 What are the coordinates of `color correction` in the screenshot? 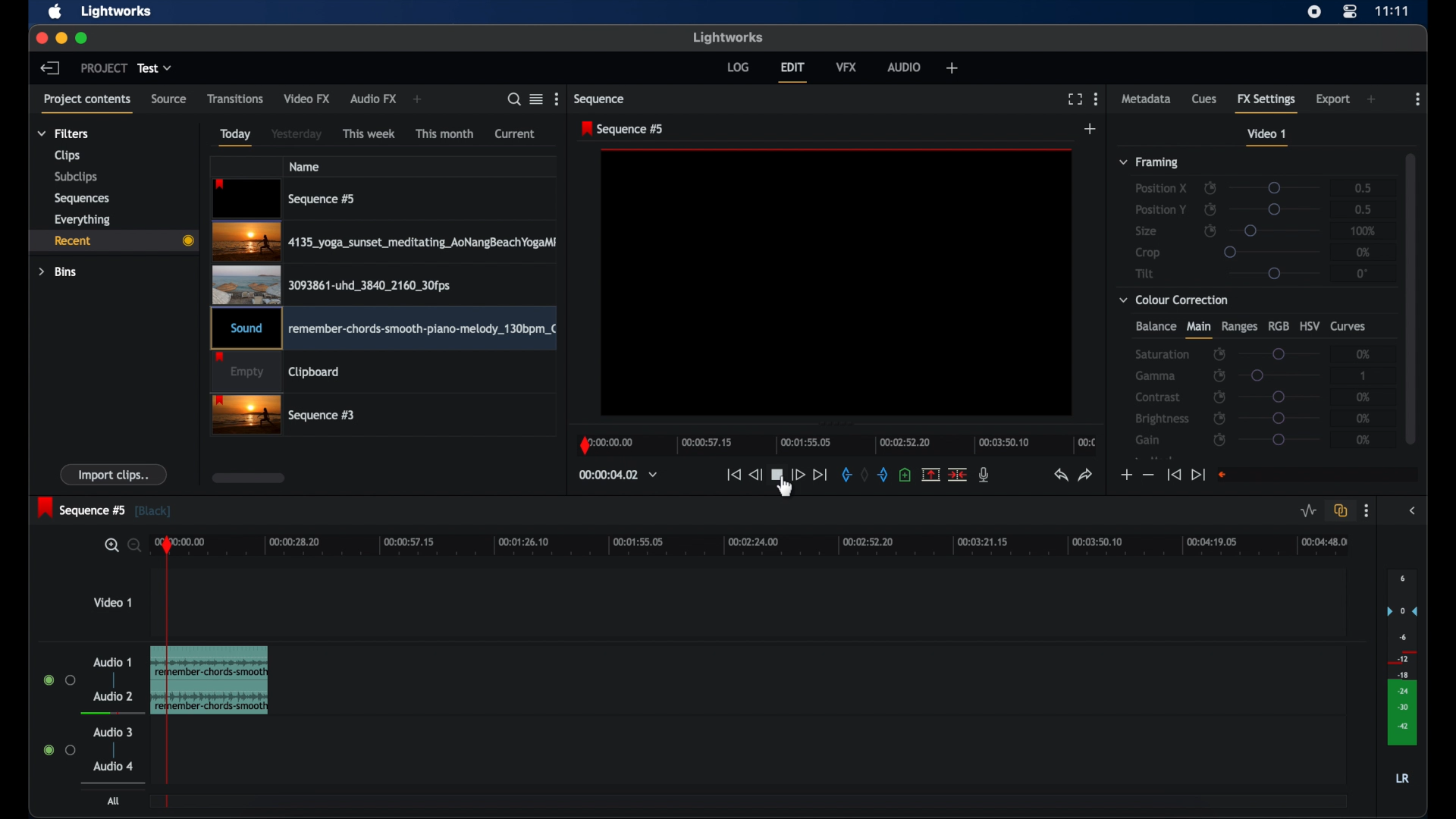 It's located at (1175, 300).